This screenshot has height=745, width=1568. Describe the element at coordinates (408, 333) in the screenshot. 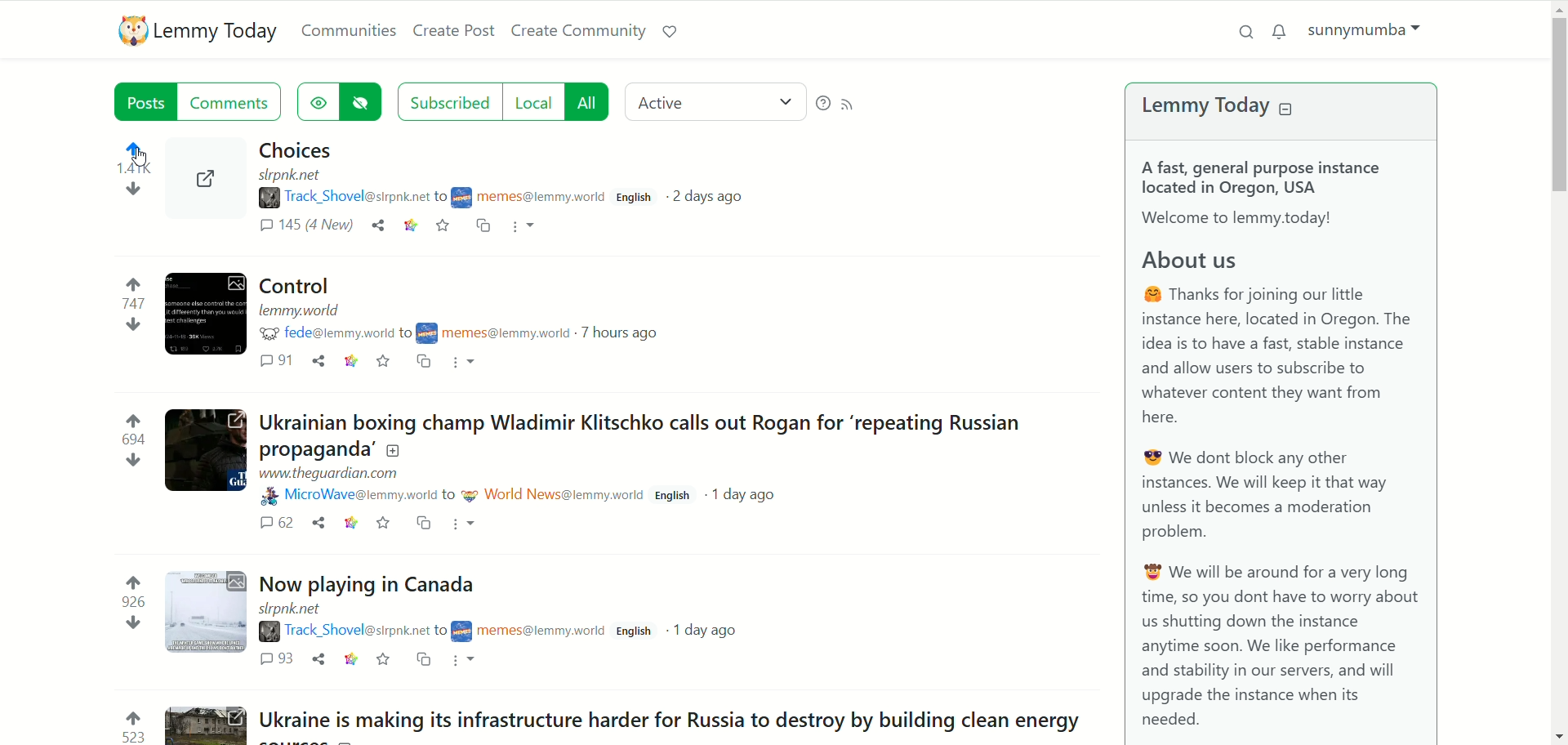

I see `to` at that location.